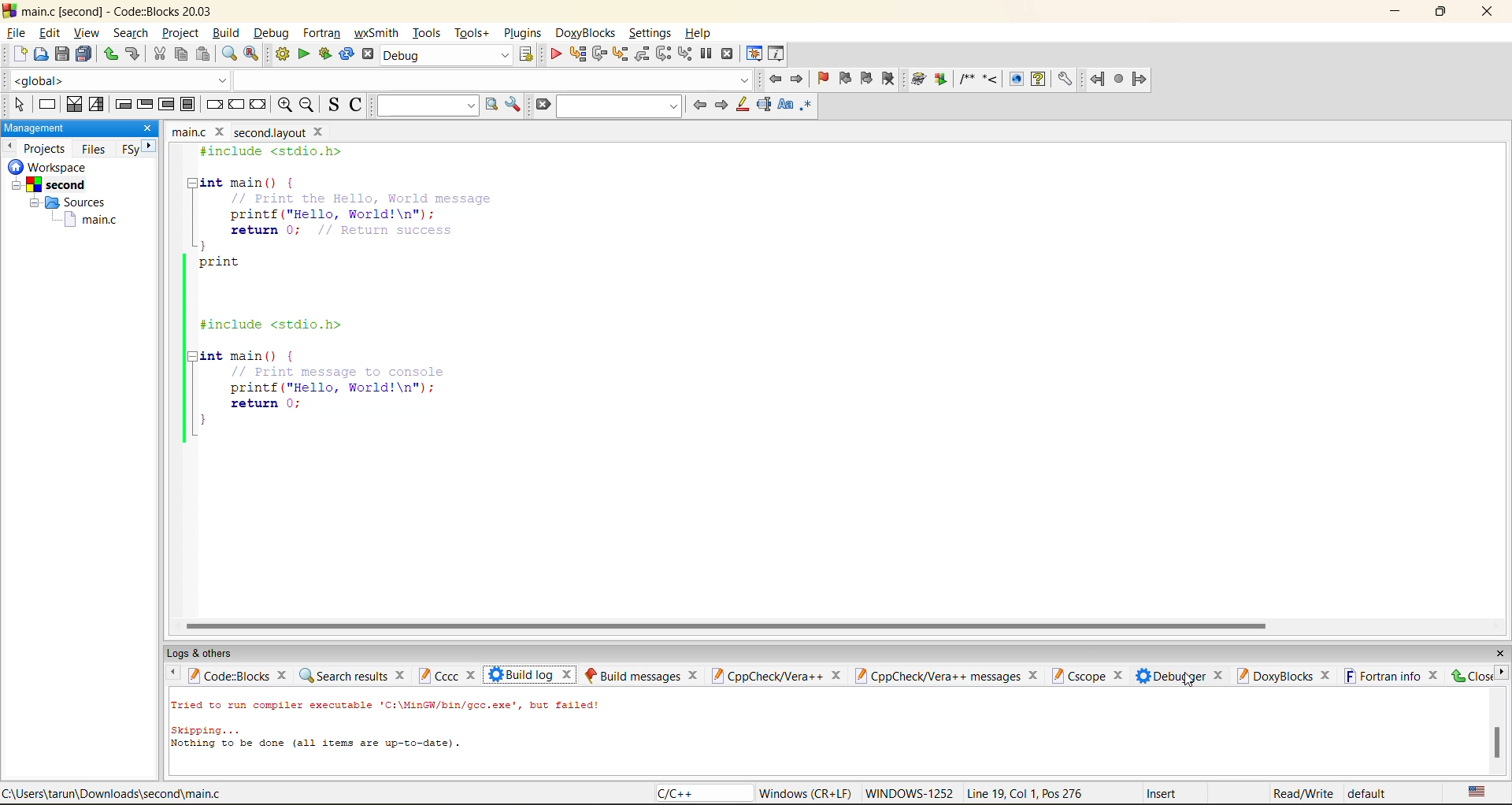 Image resolution: width=1512 pixels, height=805 pixels. Describe the element at coordinates (950, 675) in the screenshot. I see `cppcheck/vera++ messages` at that location.